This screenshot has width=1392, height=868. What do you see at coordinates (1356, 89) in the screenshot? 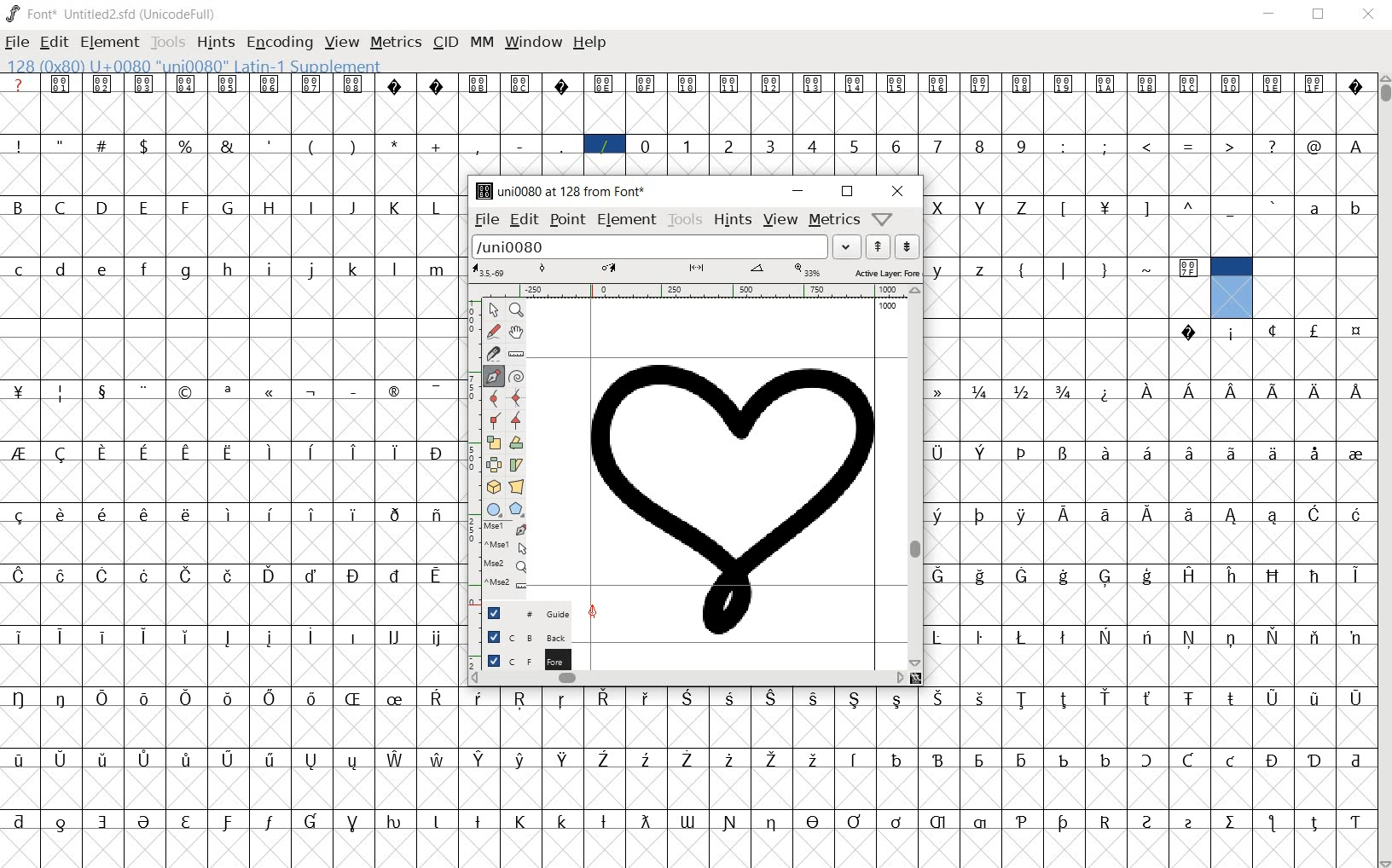
I see `glyph` at bounding box center [1356, 89].